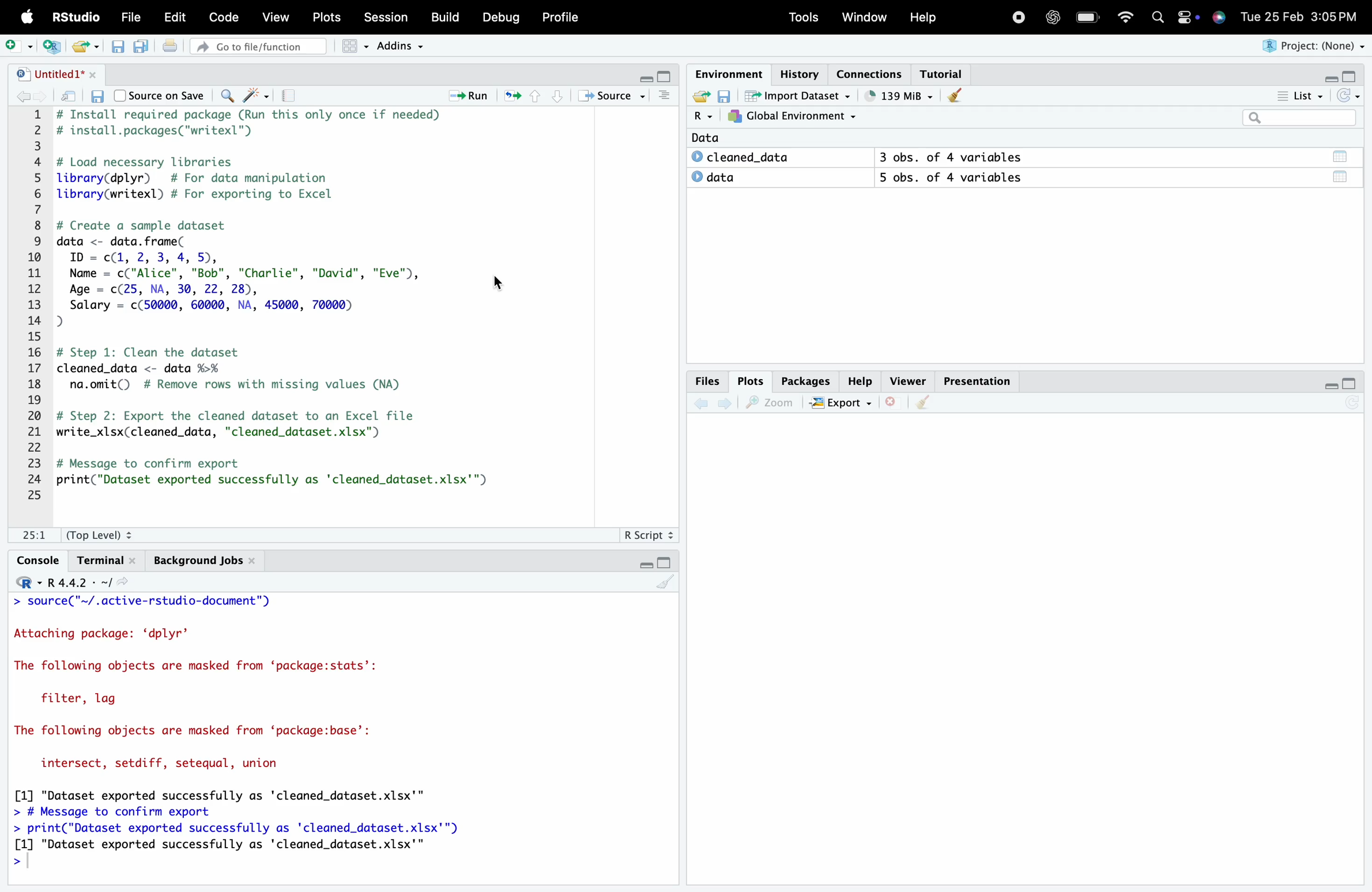 The width and height of the screenshot is (1372, 892). Describe the element at coordinates (170, 47) in the screenshot. I see `Print the current file` at that location.